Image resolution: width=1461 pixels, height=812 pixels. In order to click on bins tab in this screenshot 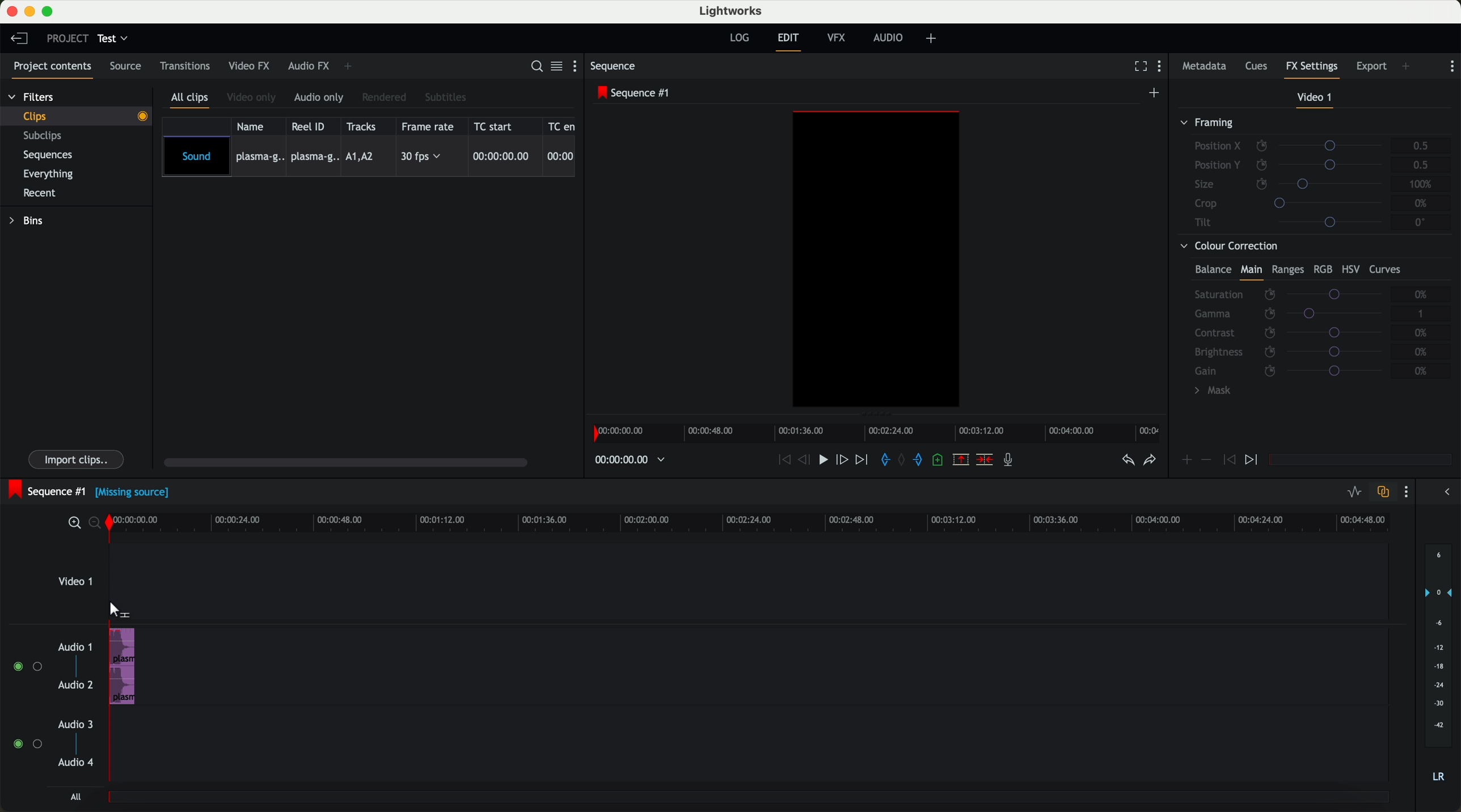, I will do `click(30, 222)`.